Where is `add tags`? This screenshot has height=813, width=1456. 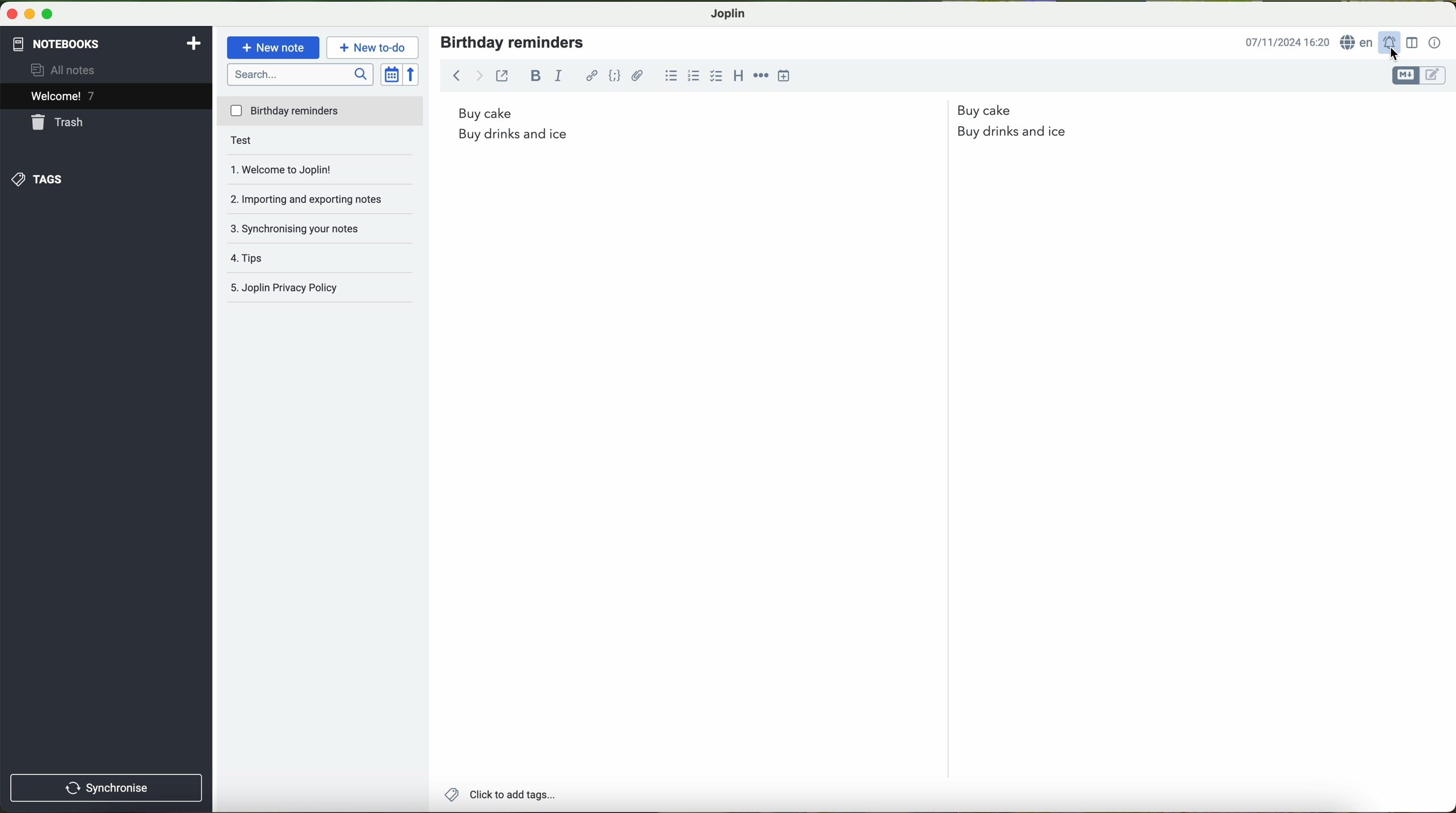 add tags is located at coordinates (503, 794).